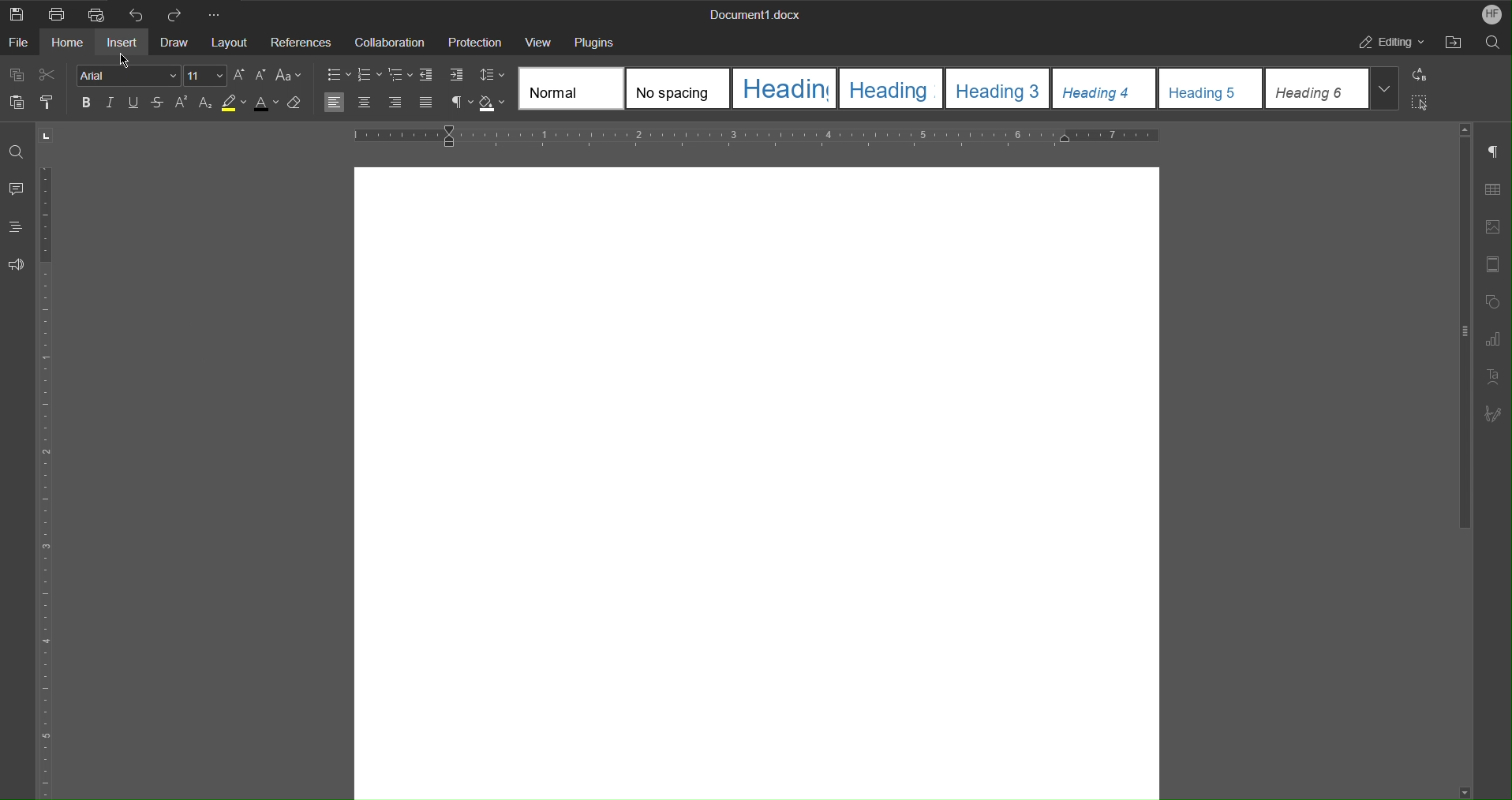  What do you see at coordinates (765, 134) in the screenshot?
I see `Horizontal Ruler` at bounding box center [765, 134].